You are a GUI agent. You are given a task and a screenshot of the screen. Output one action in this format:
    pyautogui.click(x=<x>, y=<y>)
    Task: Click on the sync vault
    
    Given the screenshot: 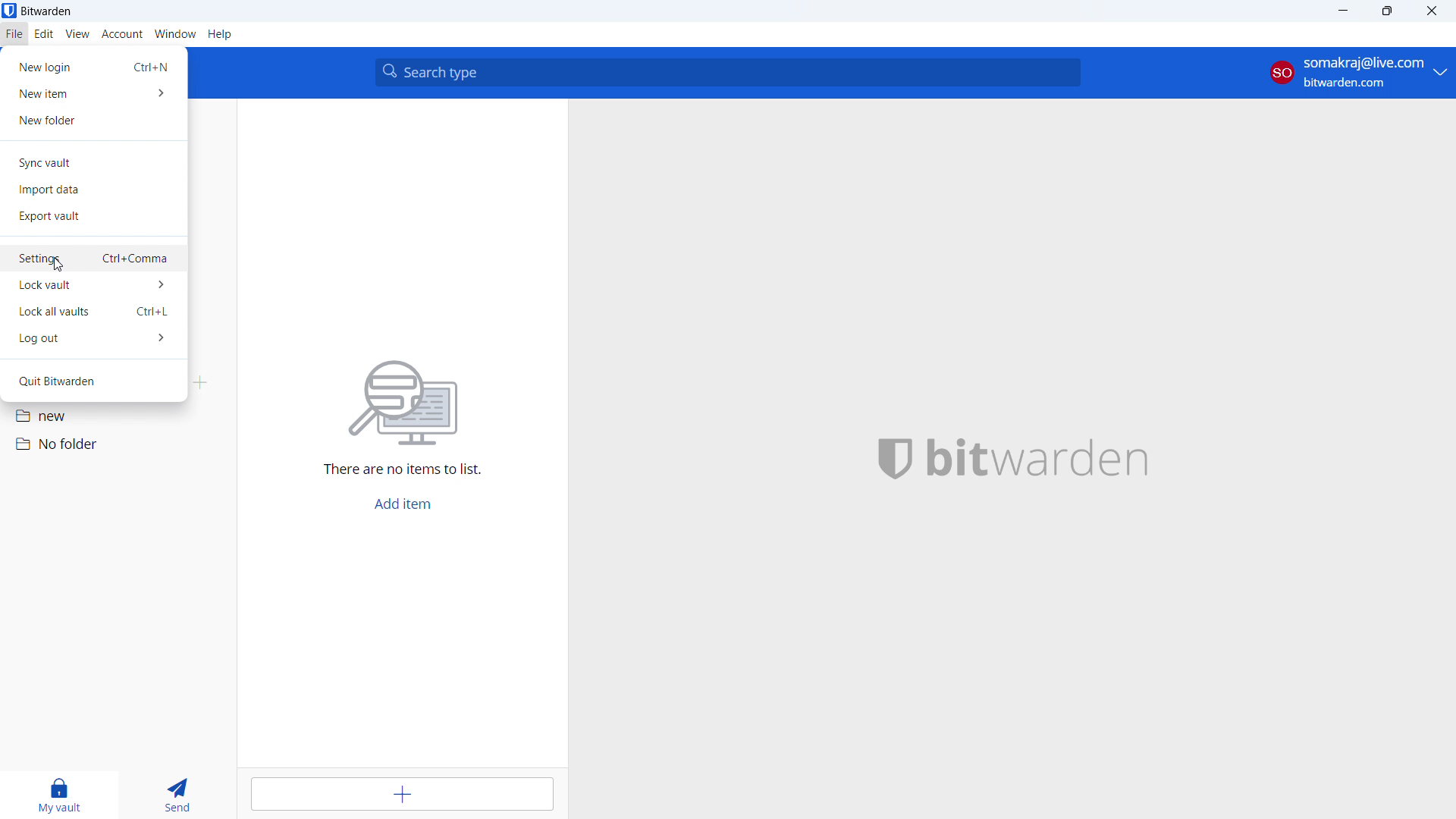 What is the action you would take?
    pyautogui.click(x=93, y=162)
    